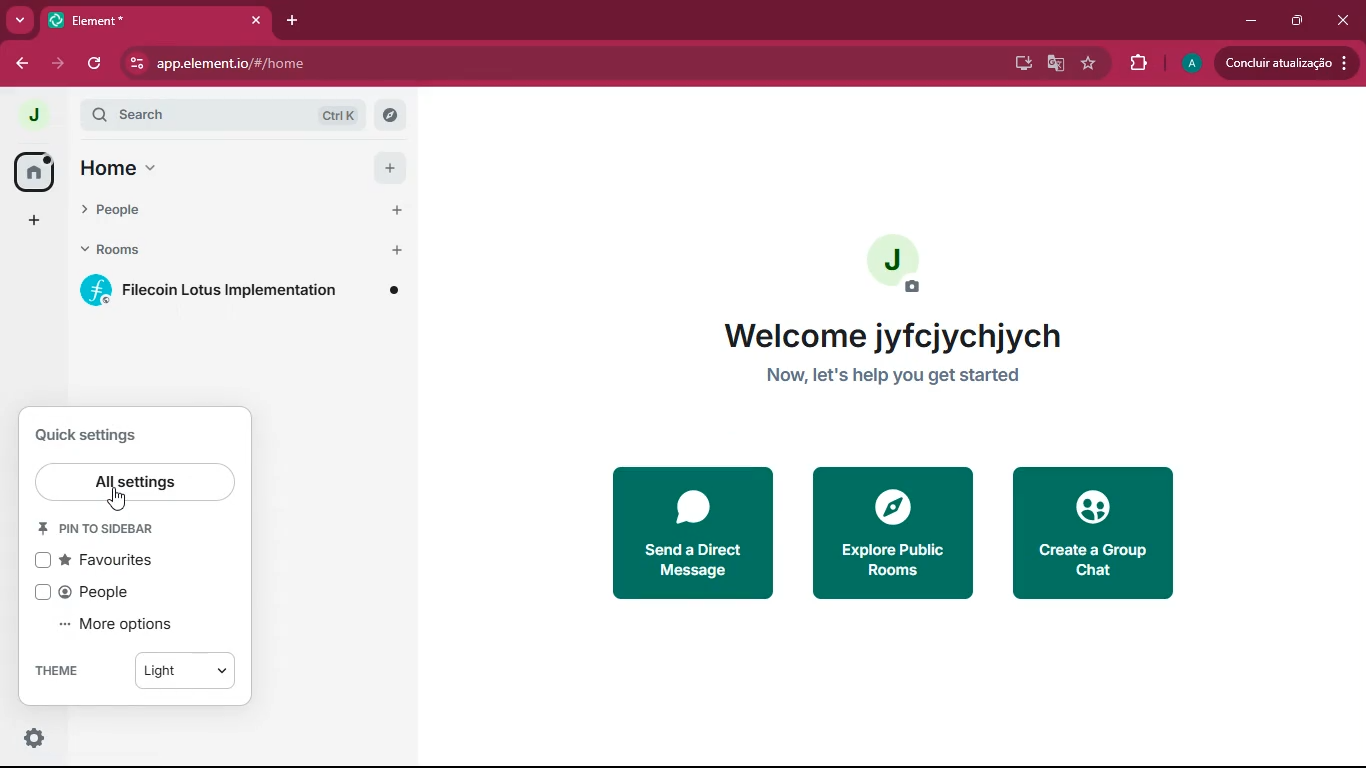  I want to click on conduir atualizacao, so click(1287, 62).